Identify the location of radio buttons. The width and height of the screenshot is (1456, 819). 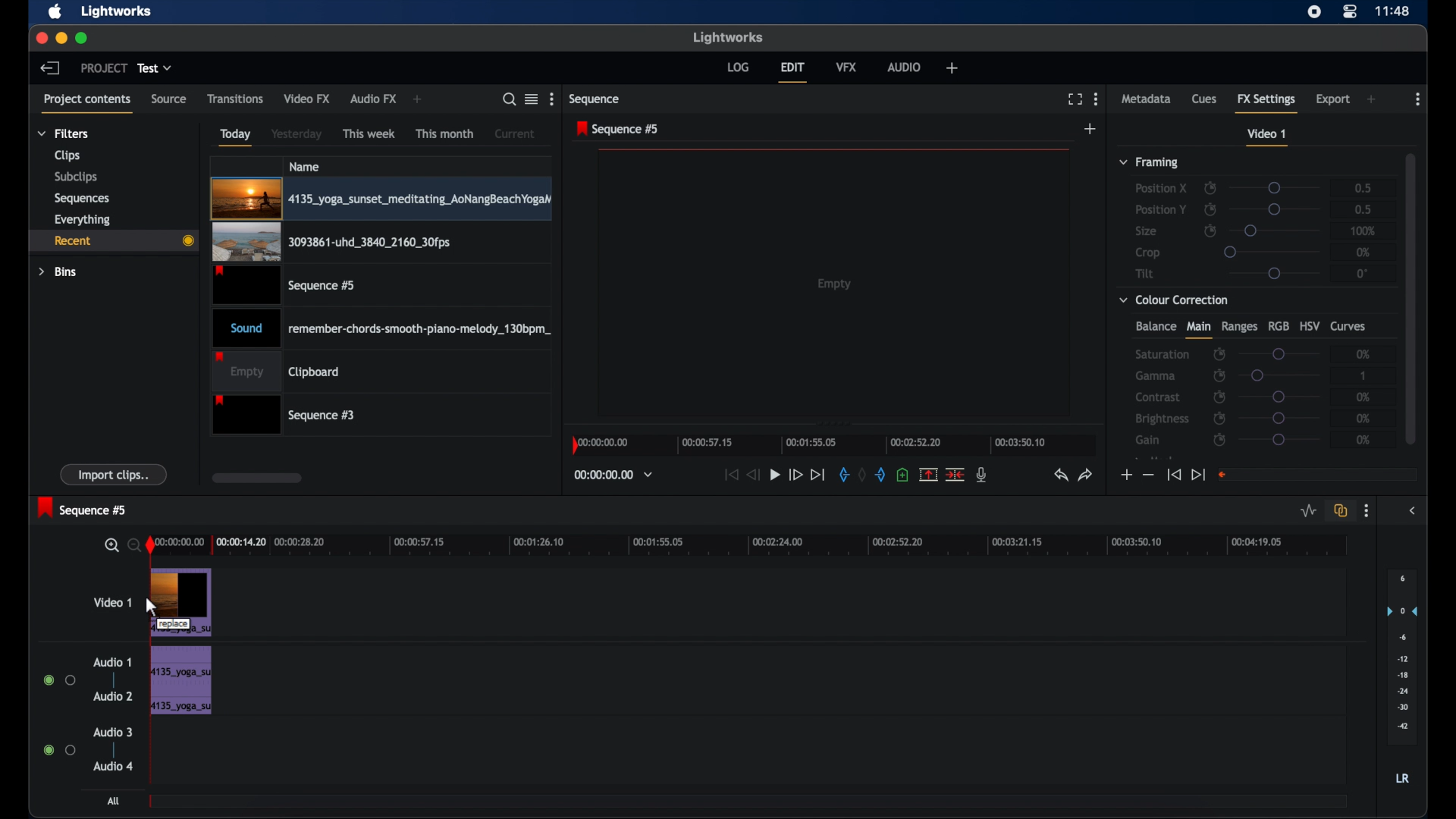
(60, 680).